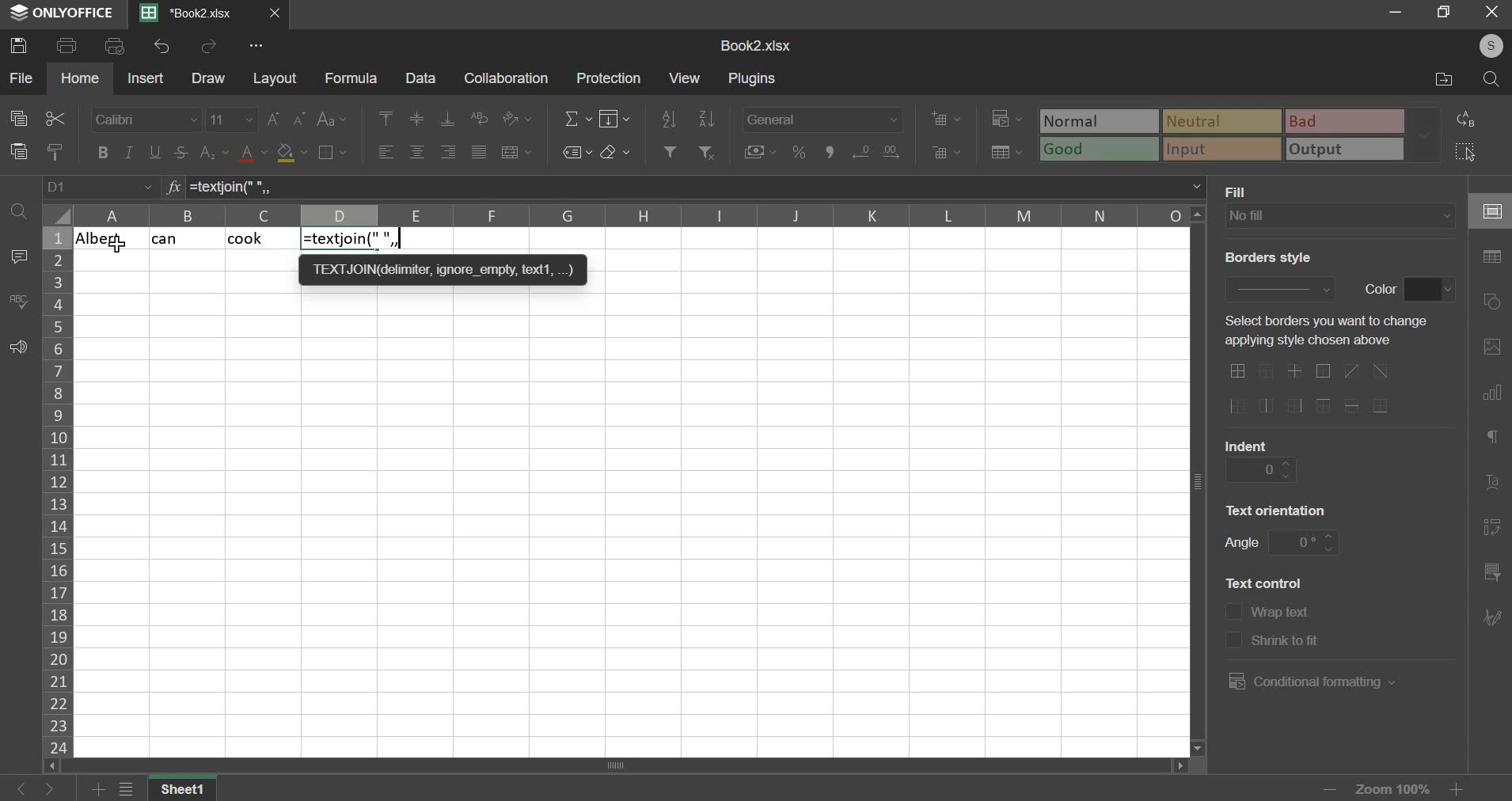 The height and width of the screenshot is (801, 1512). What do you see at coordinates (1495, 302) in the screenshot?
I see `shapes` at bounding box center [1495, 302].